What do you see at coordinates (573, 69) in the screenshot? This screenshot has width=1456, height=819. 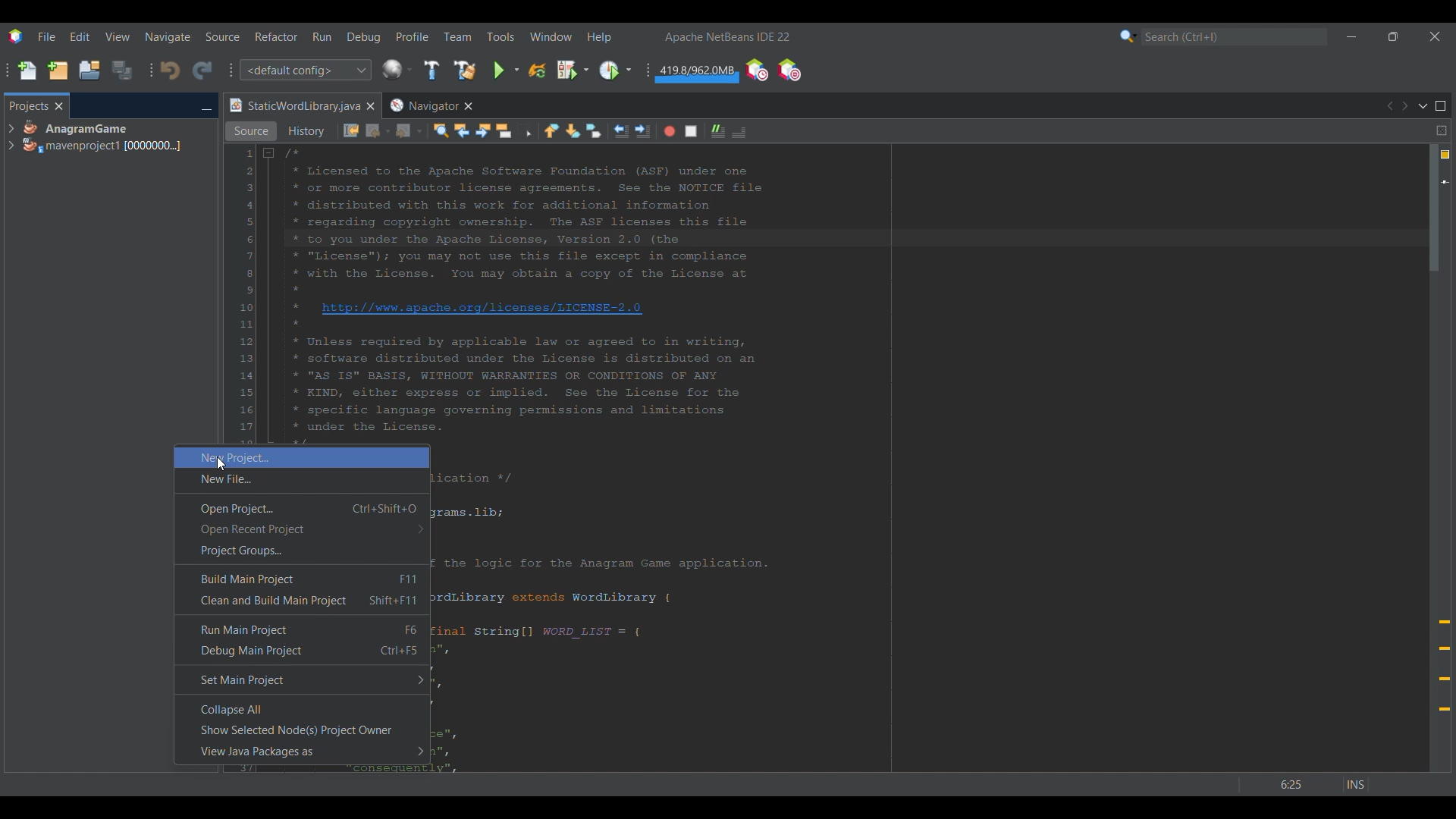 I see `Debug main project options` at bounding box center [573, 69].